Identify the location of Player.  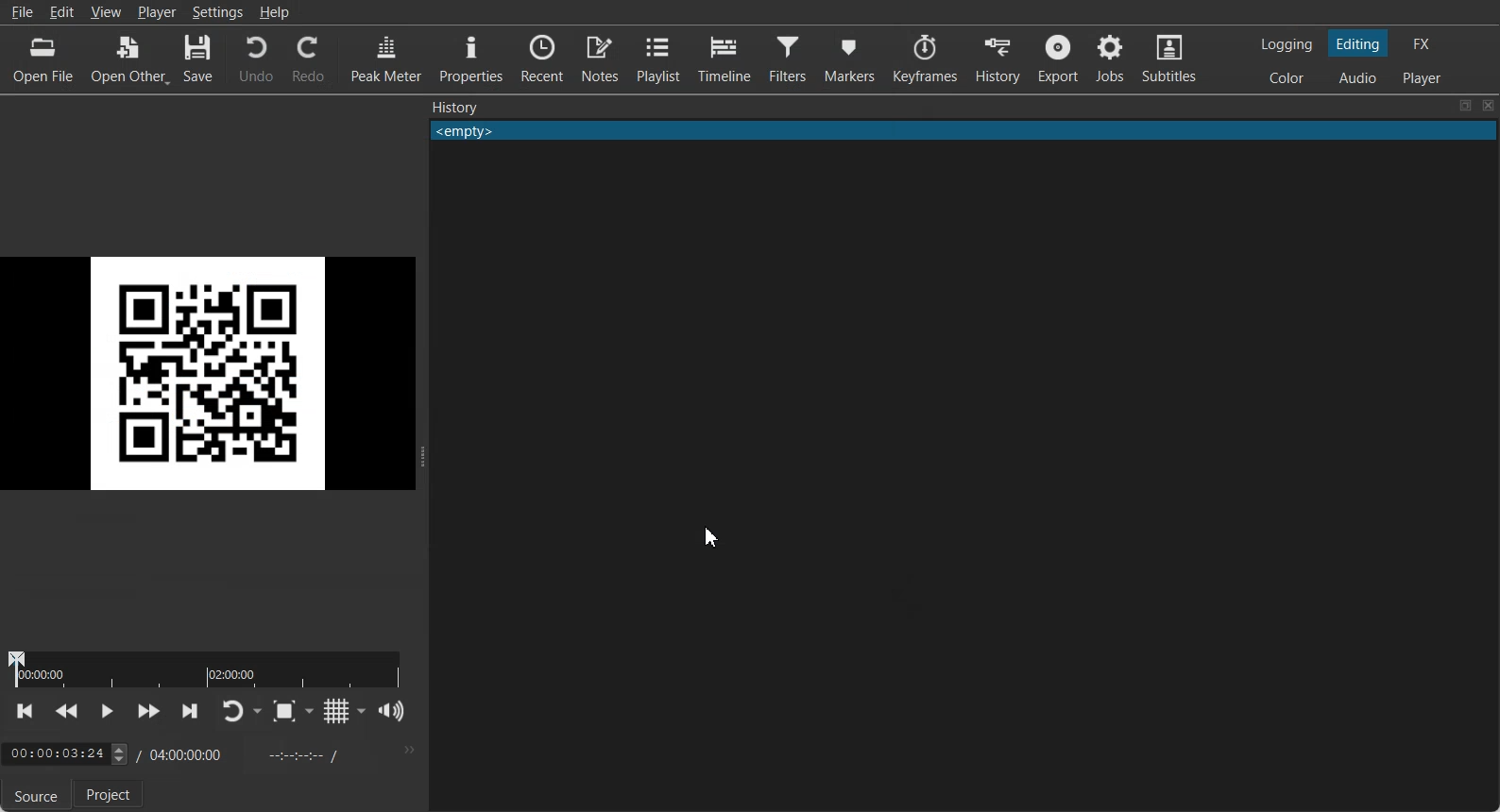
(159, 13).